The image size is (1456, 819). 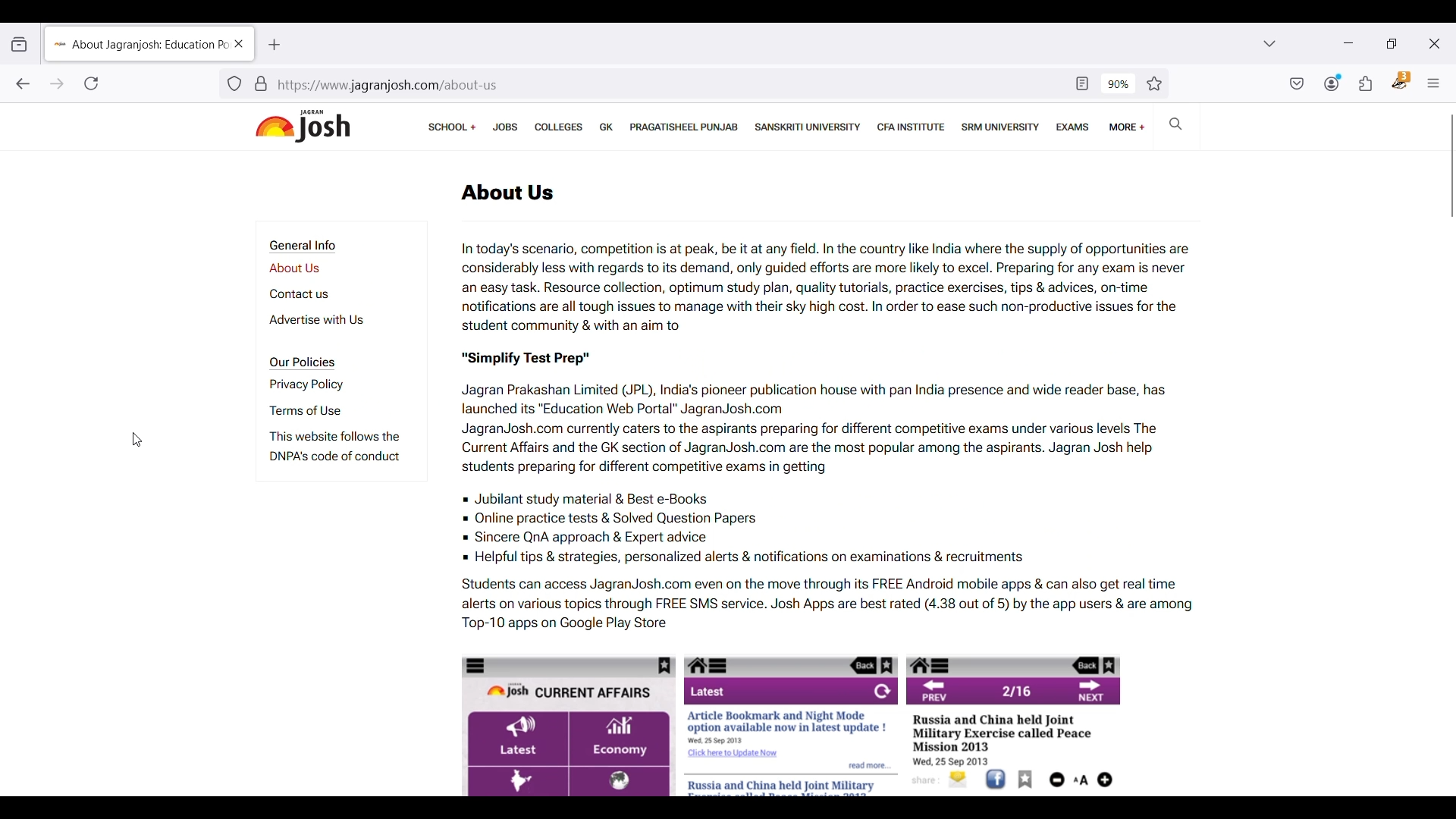 I want to click on Sanskriti university page, so click(x=807, y=127).